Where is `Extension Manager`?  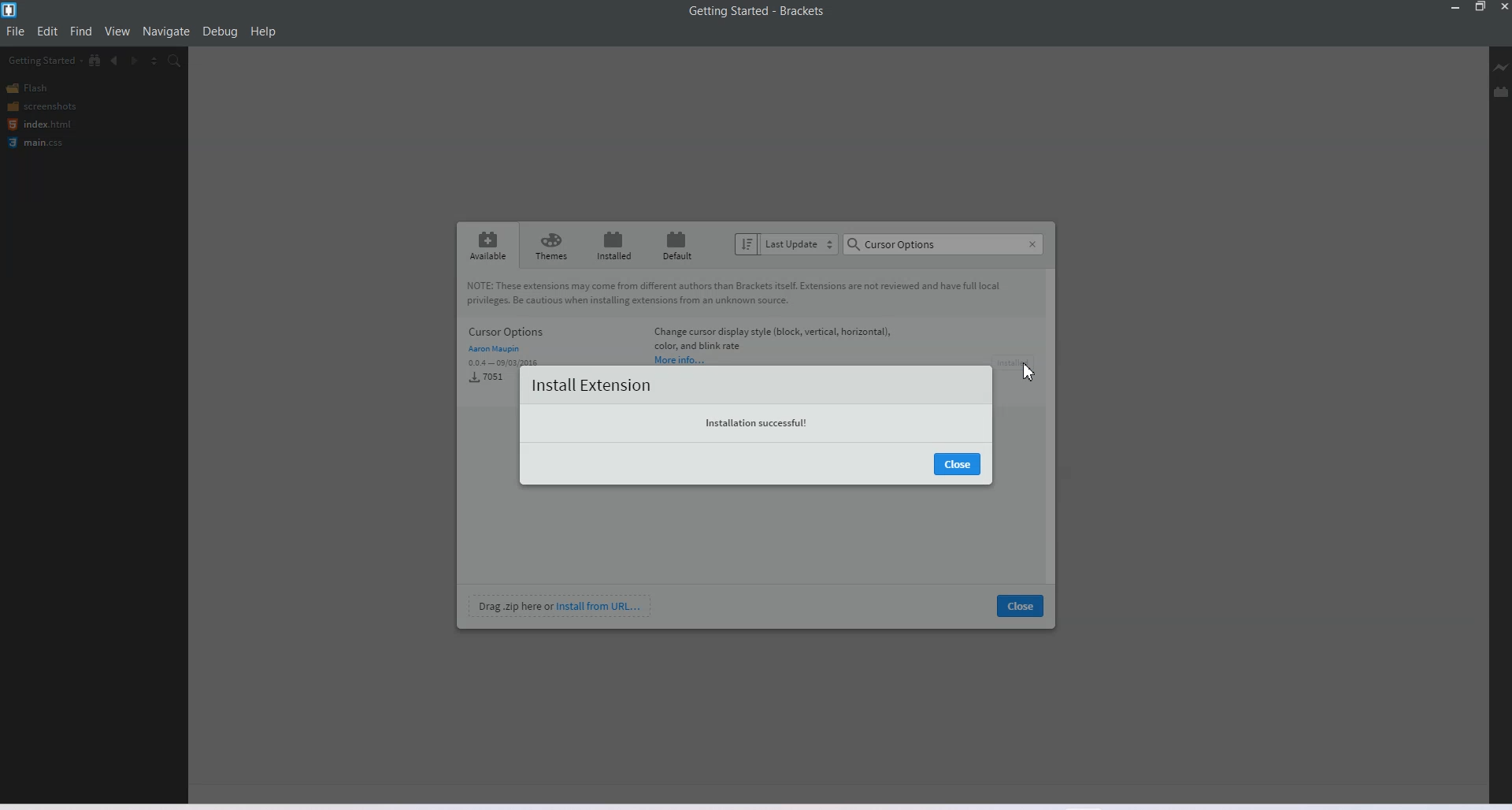 Extension Manager is located at coordinates (1502, 91).